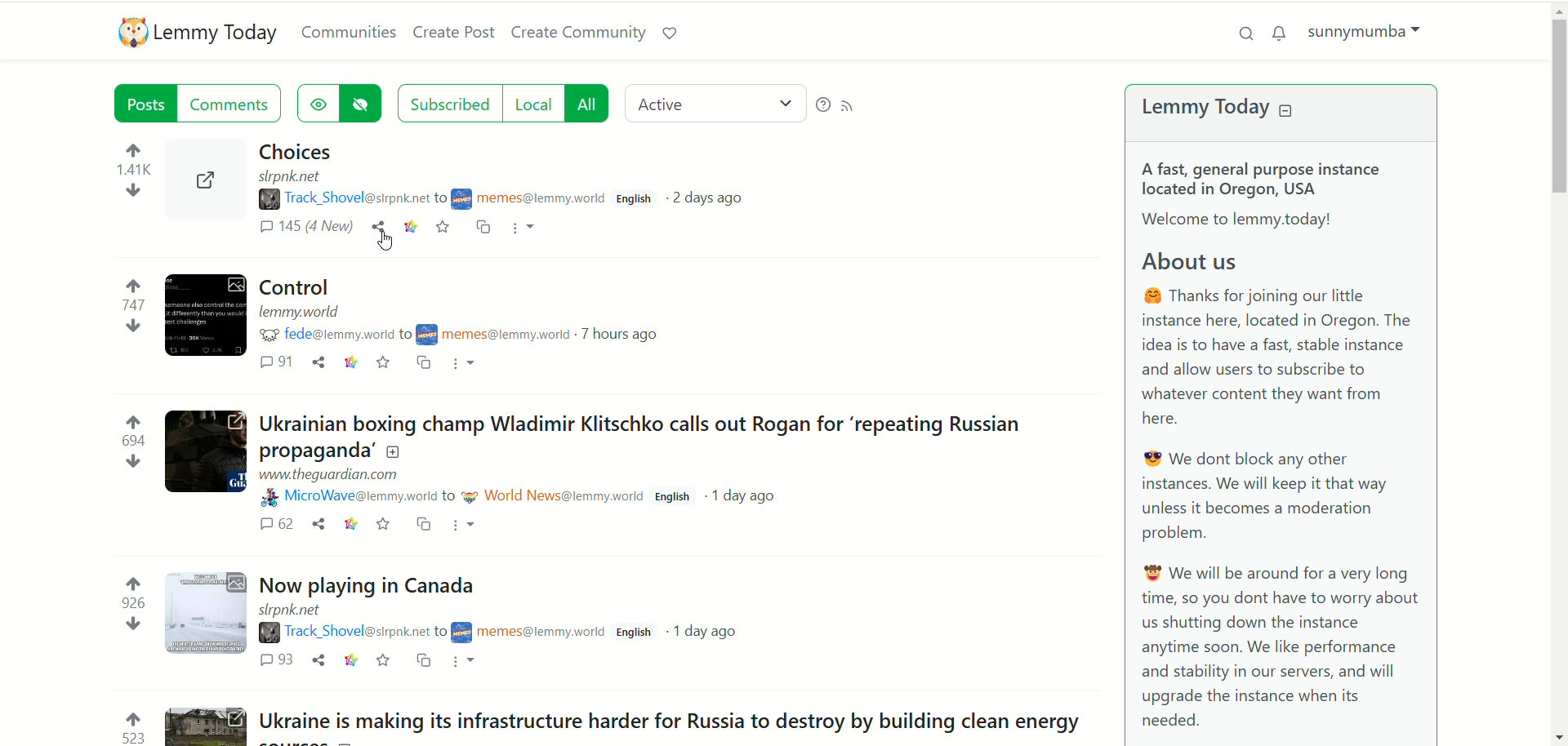 This screenshot has width=1568, height=746. I want to click on Post on "Ukrainian boxing champ Wladimir Klitschko calls out Rogan for ‘repeating Russian propaganda’", so click(640, 437).